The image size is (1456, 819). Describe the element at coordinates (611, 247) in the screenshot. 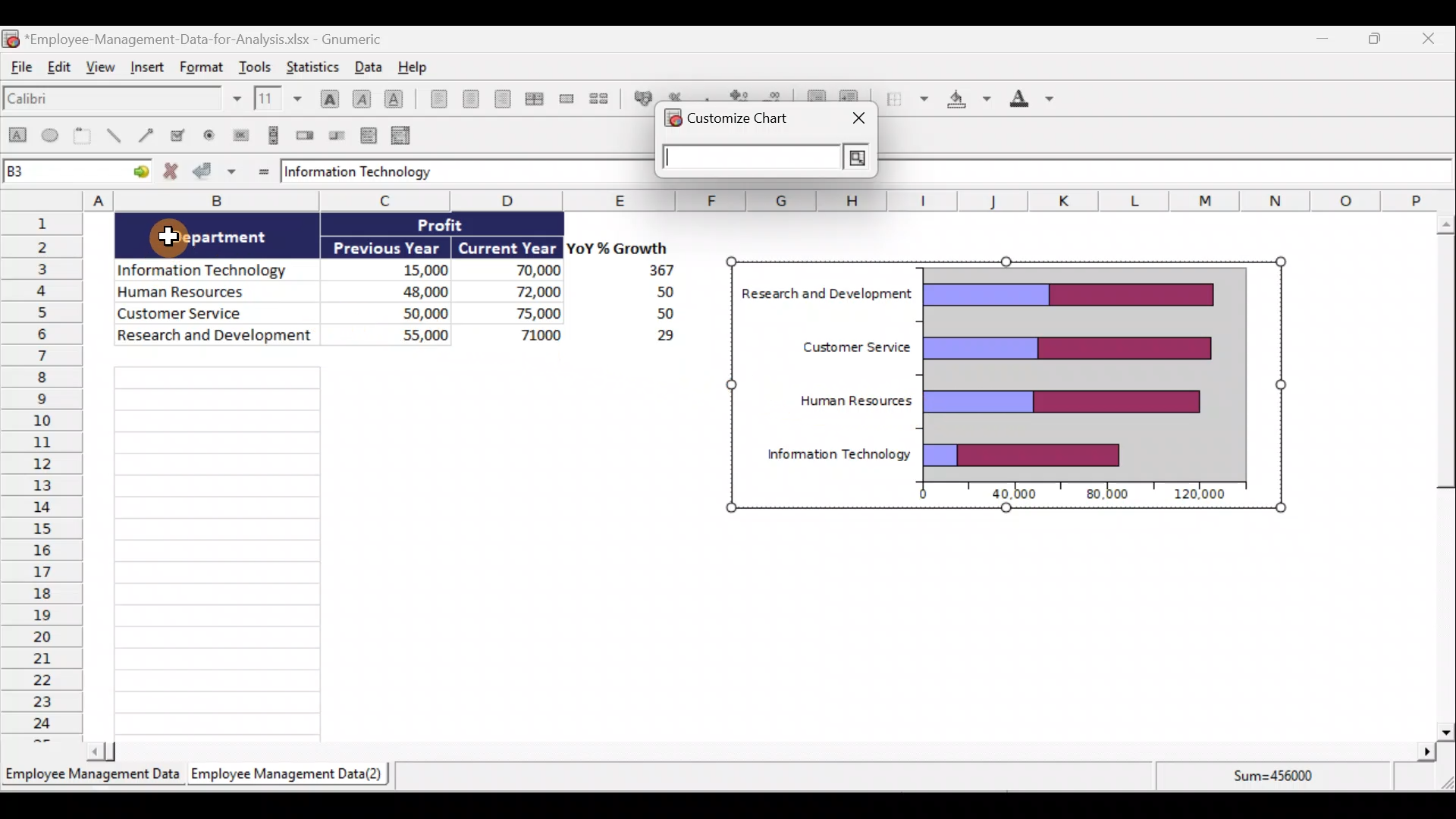

I see `YoY % Growth` at that location.